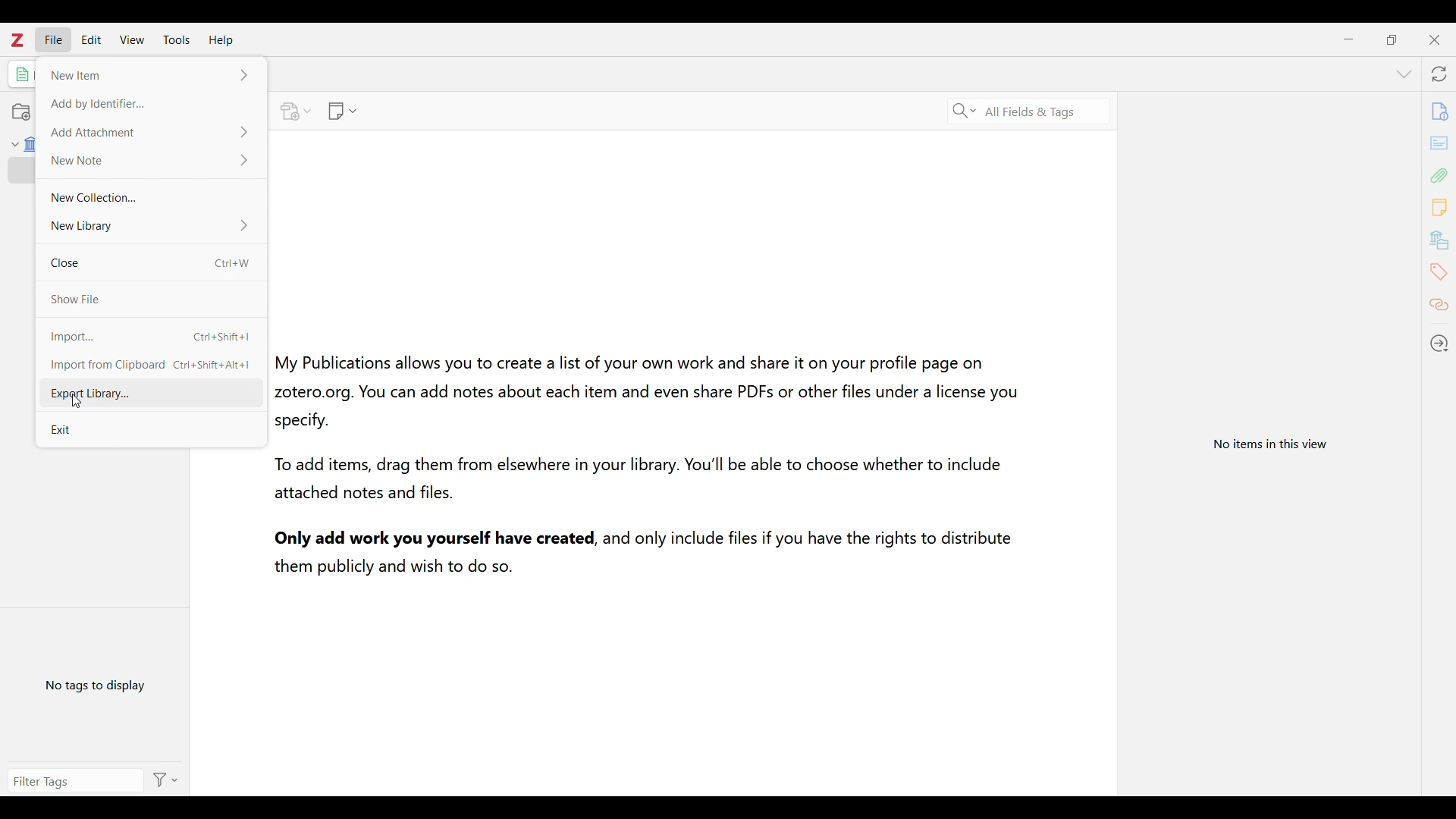 This screenshot has height=819, width=1456. Describe the element at coordinates (1439, 74) in the screenshot. I see `Sync with zotero.org` at that location.